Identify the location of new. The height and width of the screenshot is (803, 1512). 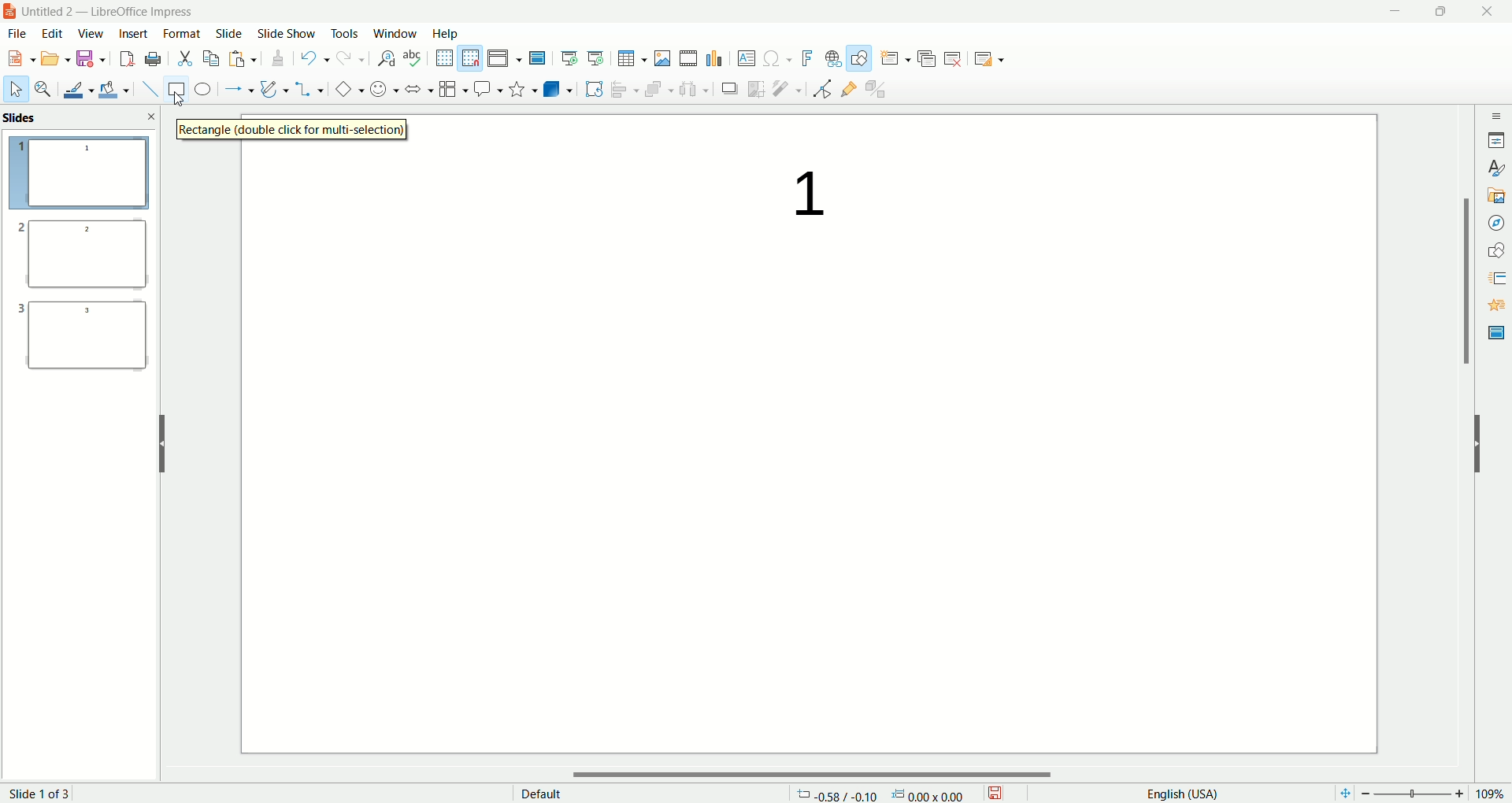
(21, 57).